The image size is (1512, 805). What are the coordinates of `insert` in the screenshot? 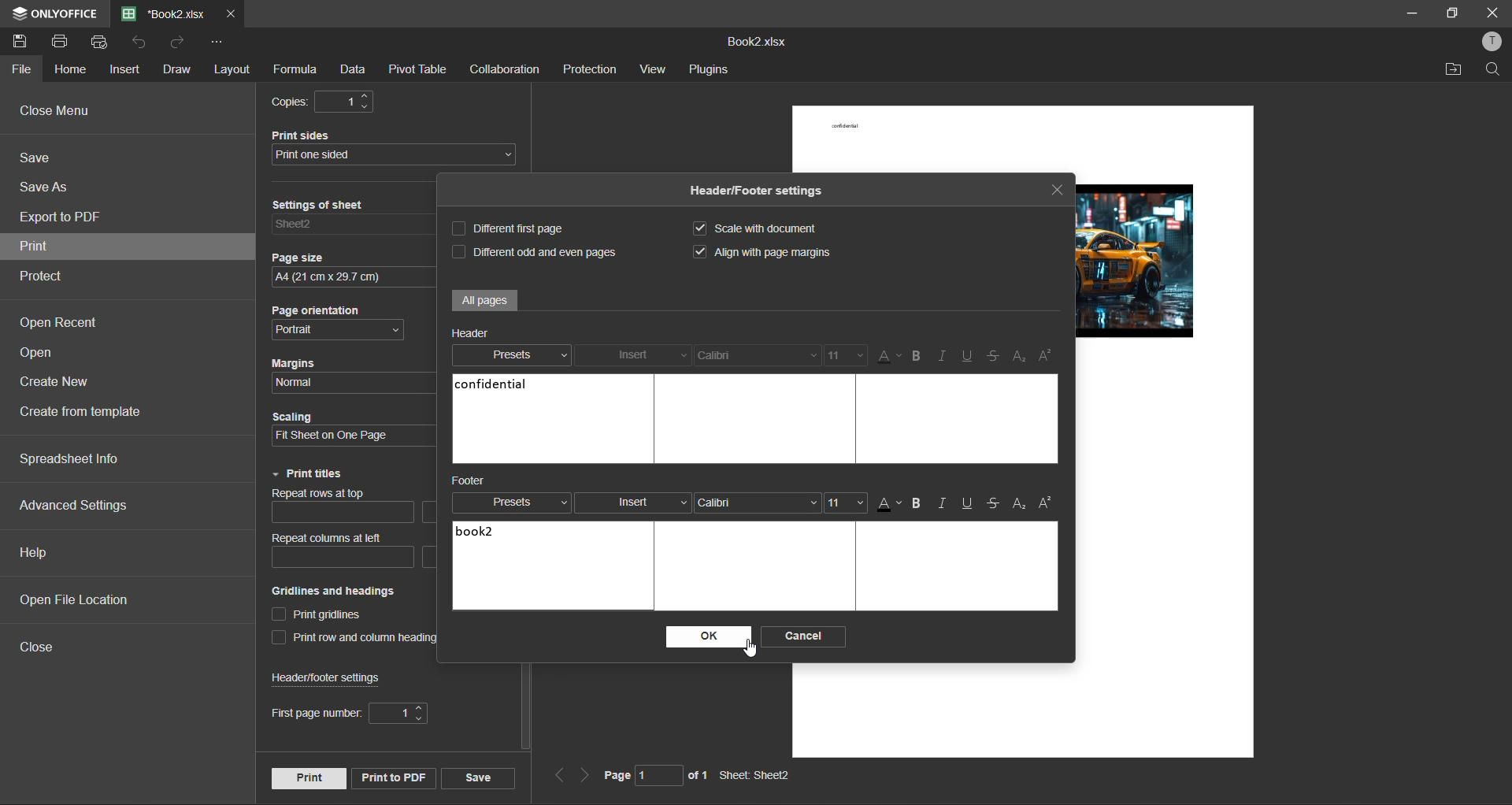 It's located at (634, 355).